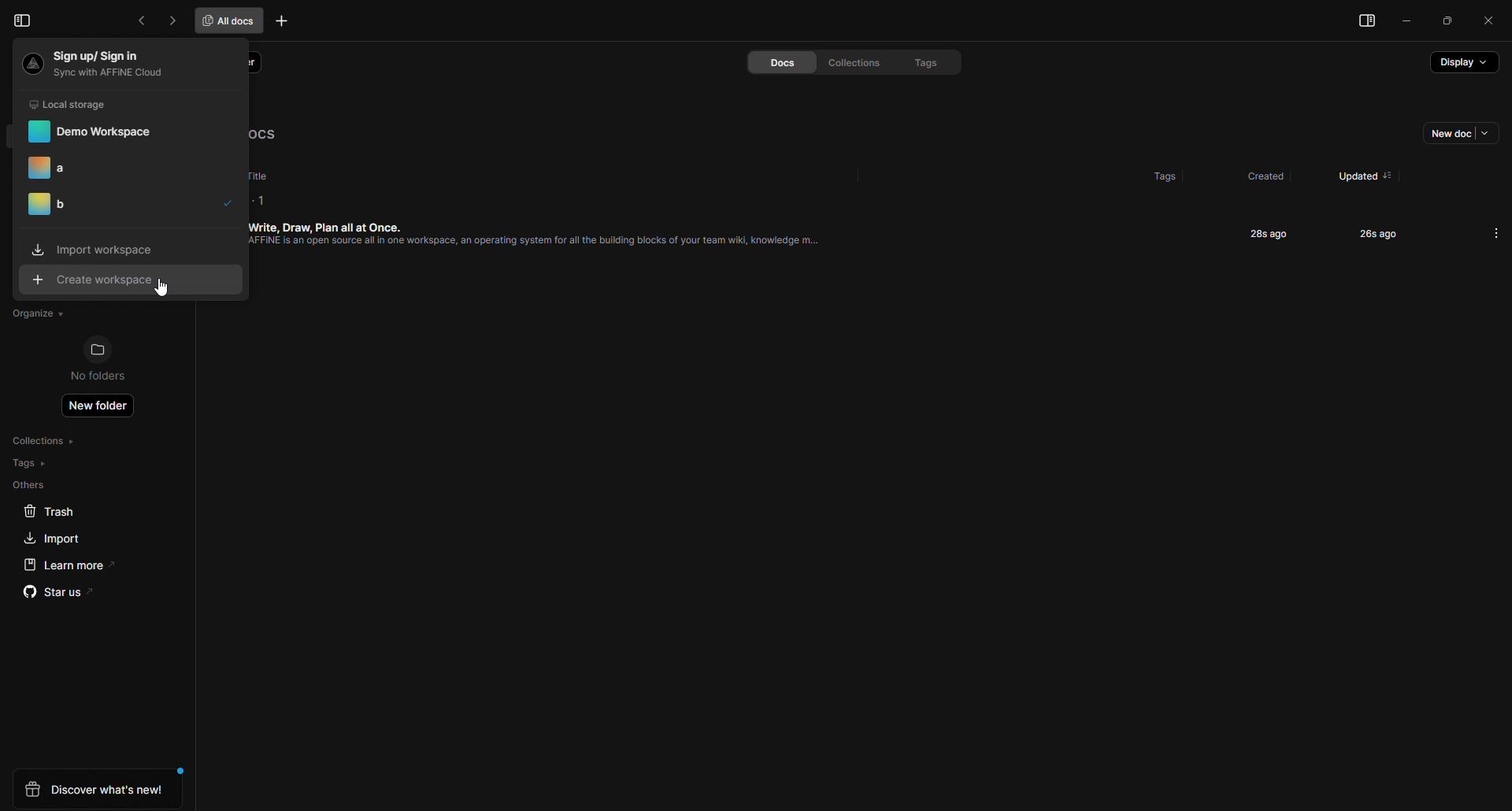 The image size is (1512, 811). What do you see at coordinates (62, 168) in the screenshot?
I see `a` at bounding box center [62, 168].